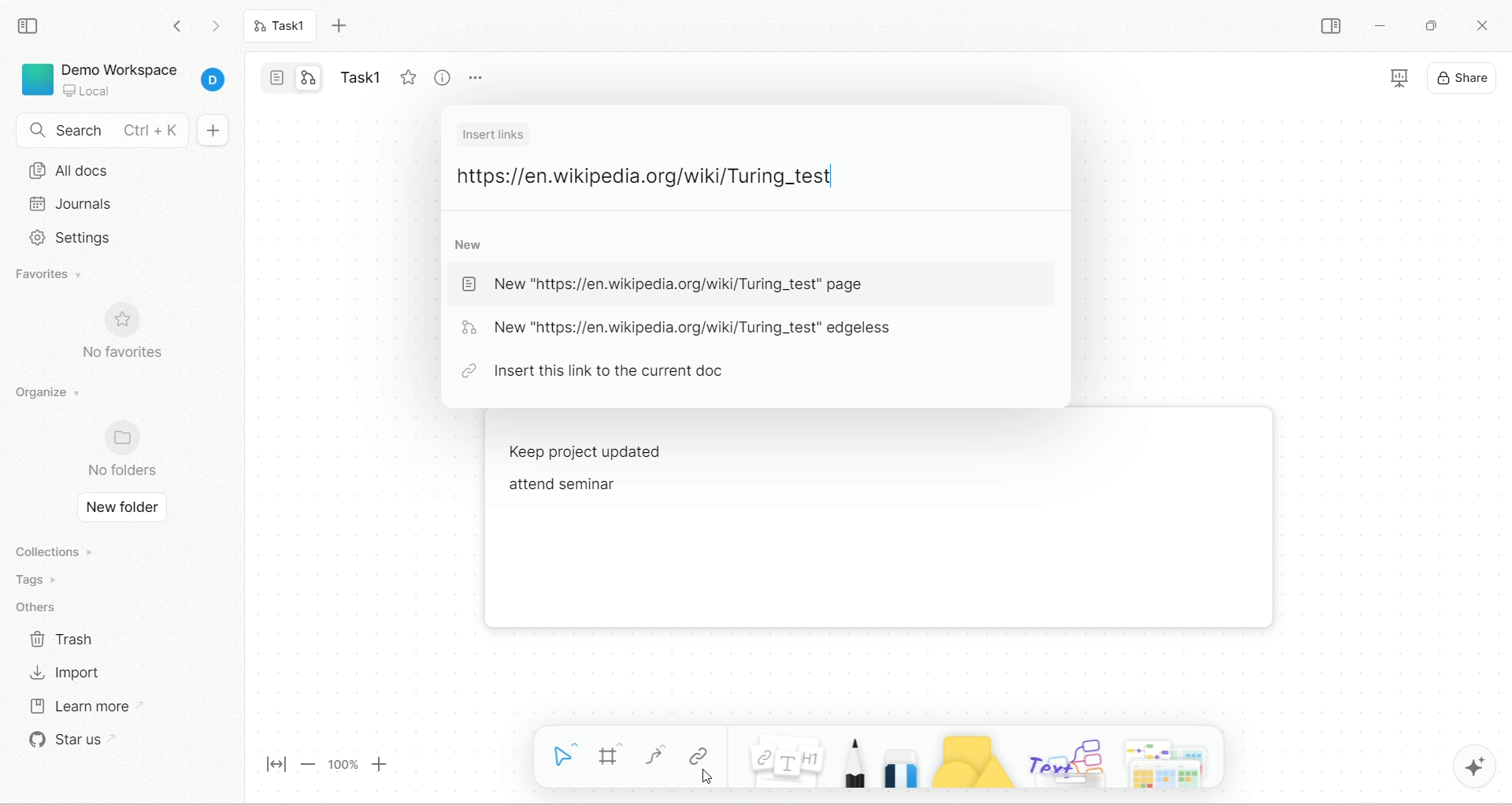 The width and height of the screenshot is (1512, 805). Describe the element at coordinates (654, 755) in the screenshot. I see `curve` at that location.